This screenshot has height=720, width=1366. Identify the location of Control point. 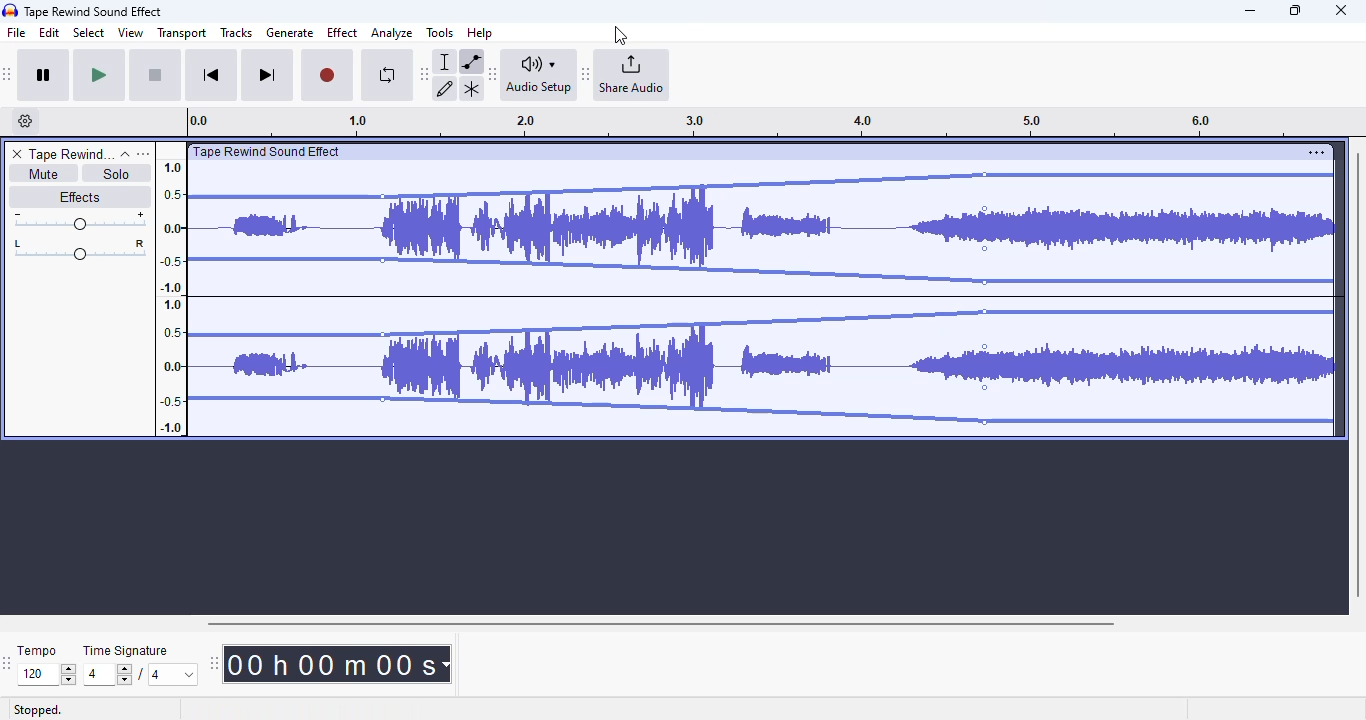
(382, 335).